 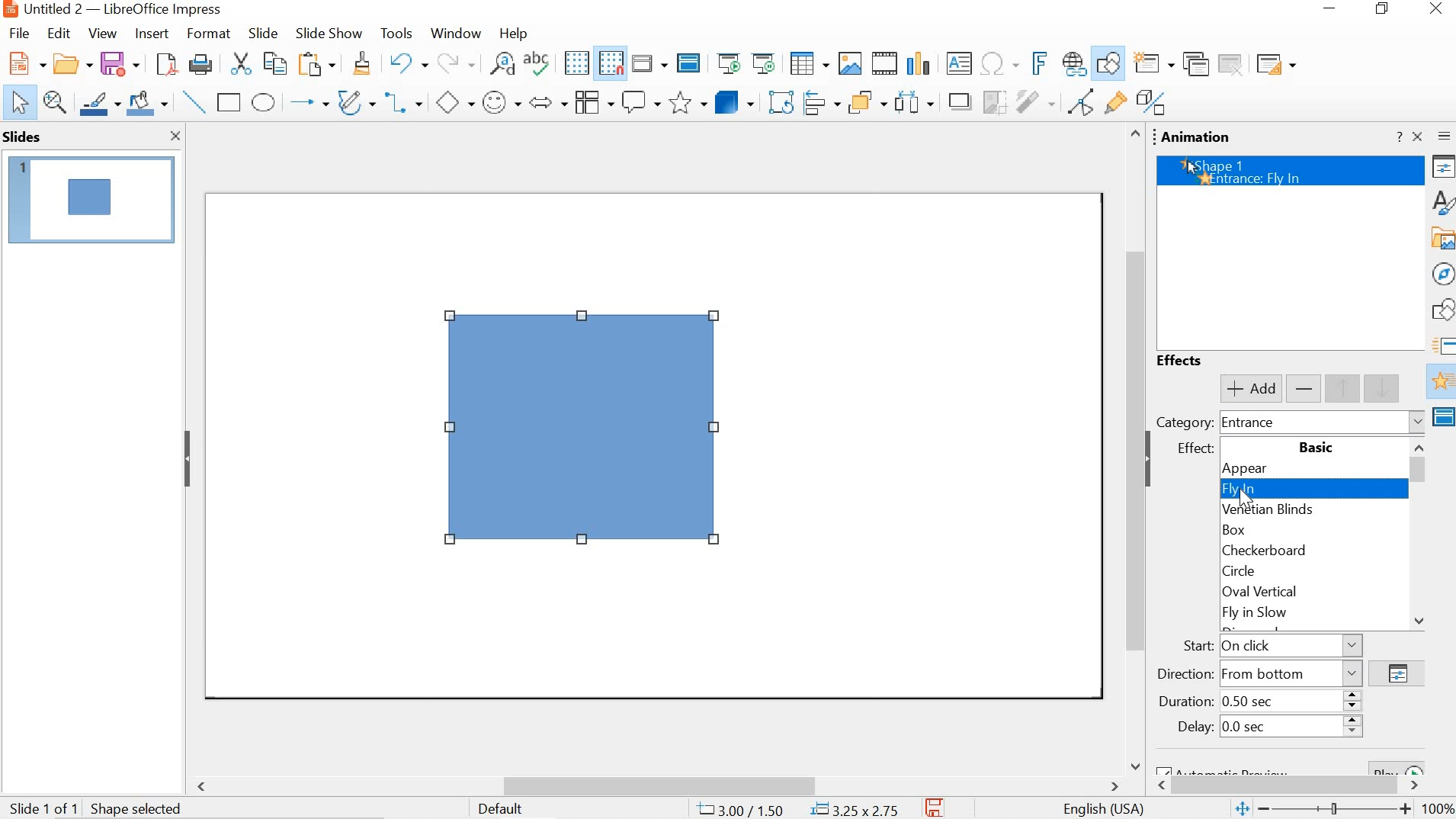 What do you see at coordinates (1232, 66) in the screenshot?
I see `delete slide` at bounding box center [1232, 66].